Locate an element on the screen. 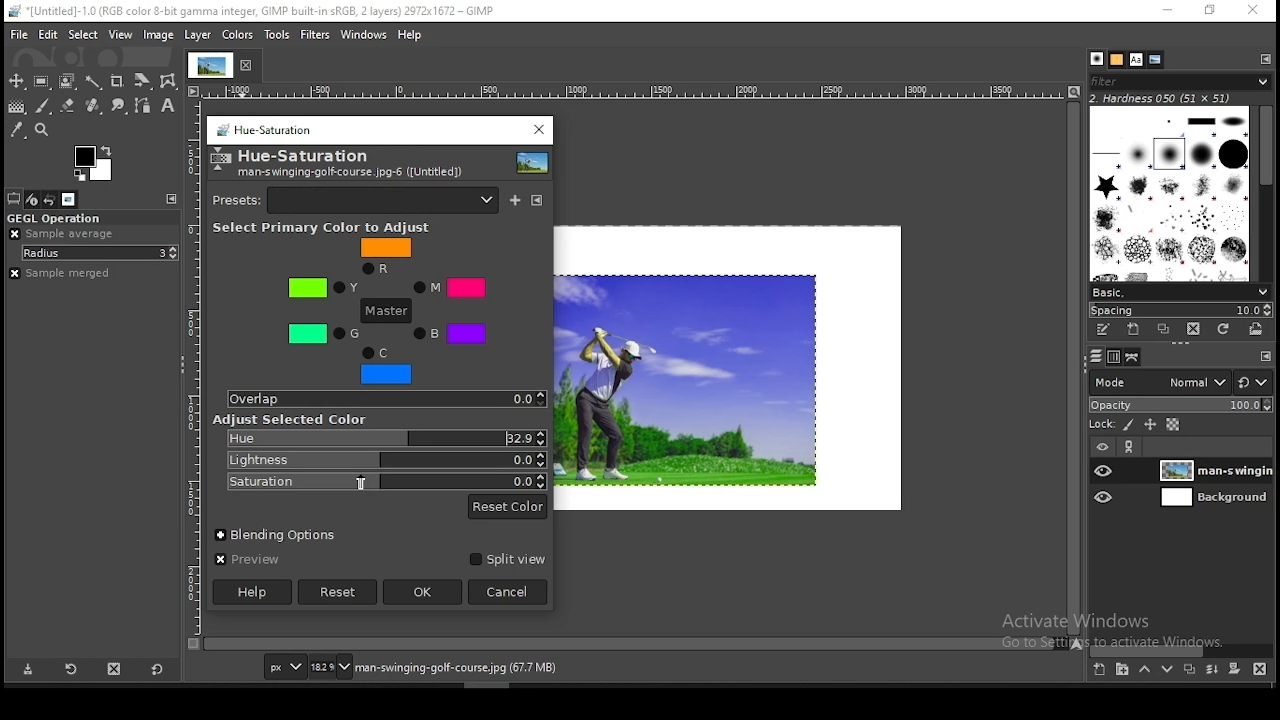  lock pixels is located at coordinates (1128, 425).